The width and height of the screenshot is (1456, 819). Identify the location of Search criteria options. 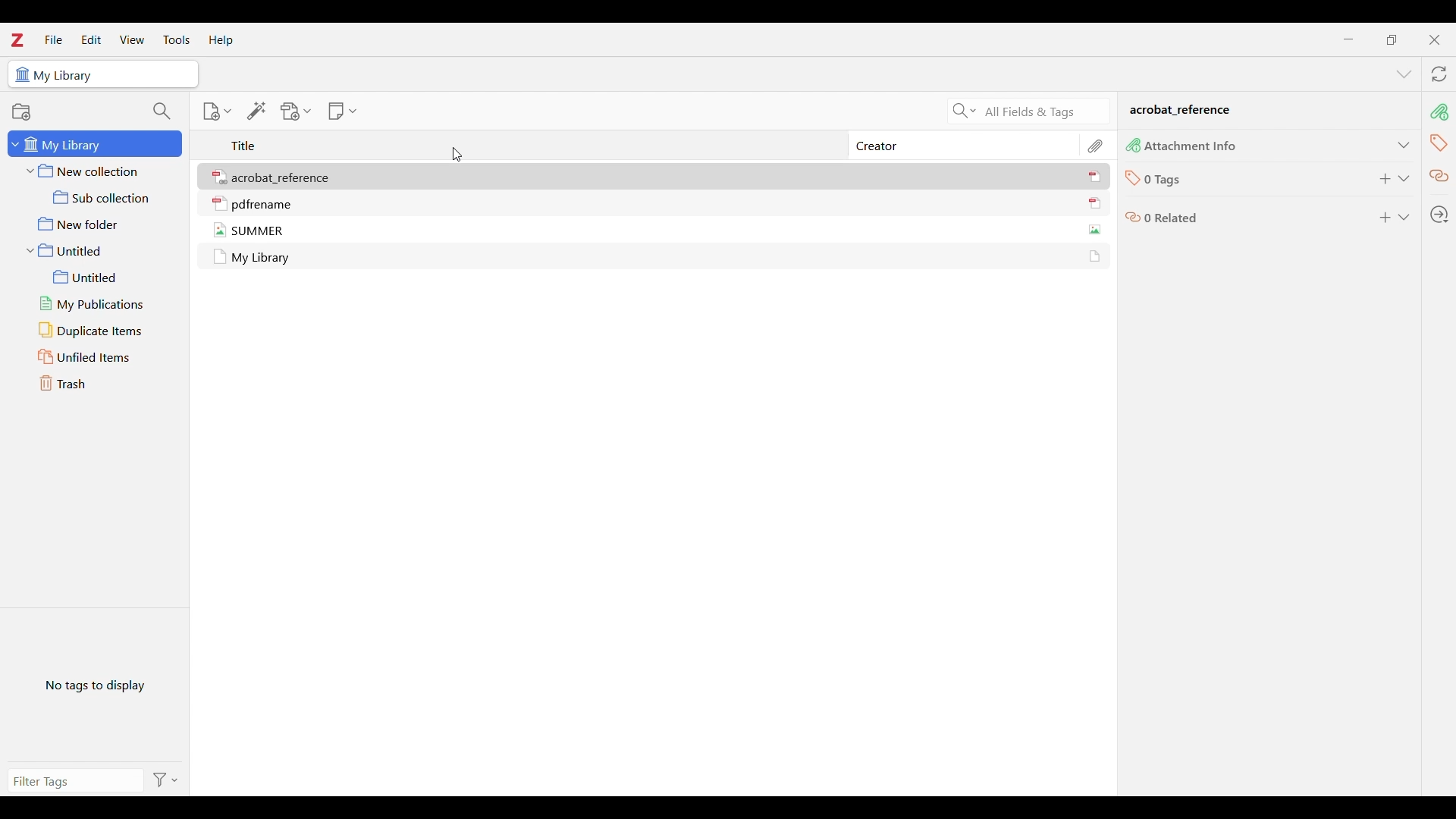
(965, 111).